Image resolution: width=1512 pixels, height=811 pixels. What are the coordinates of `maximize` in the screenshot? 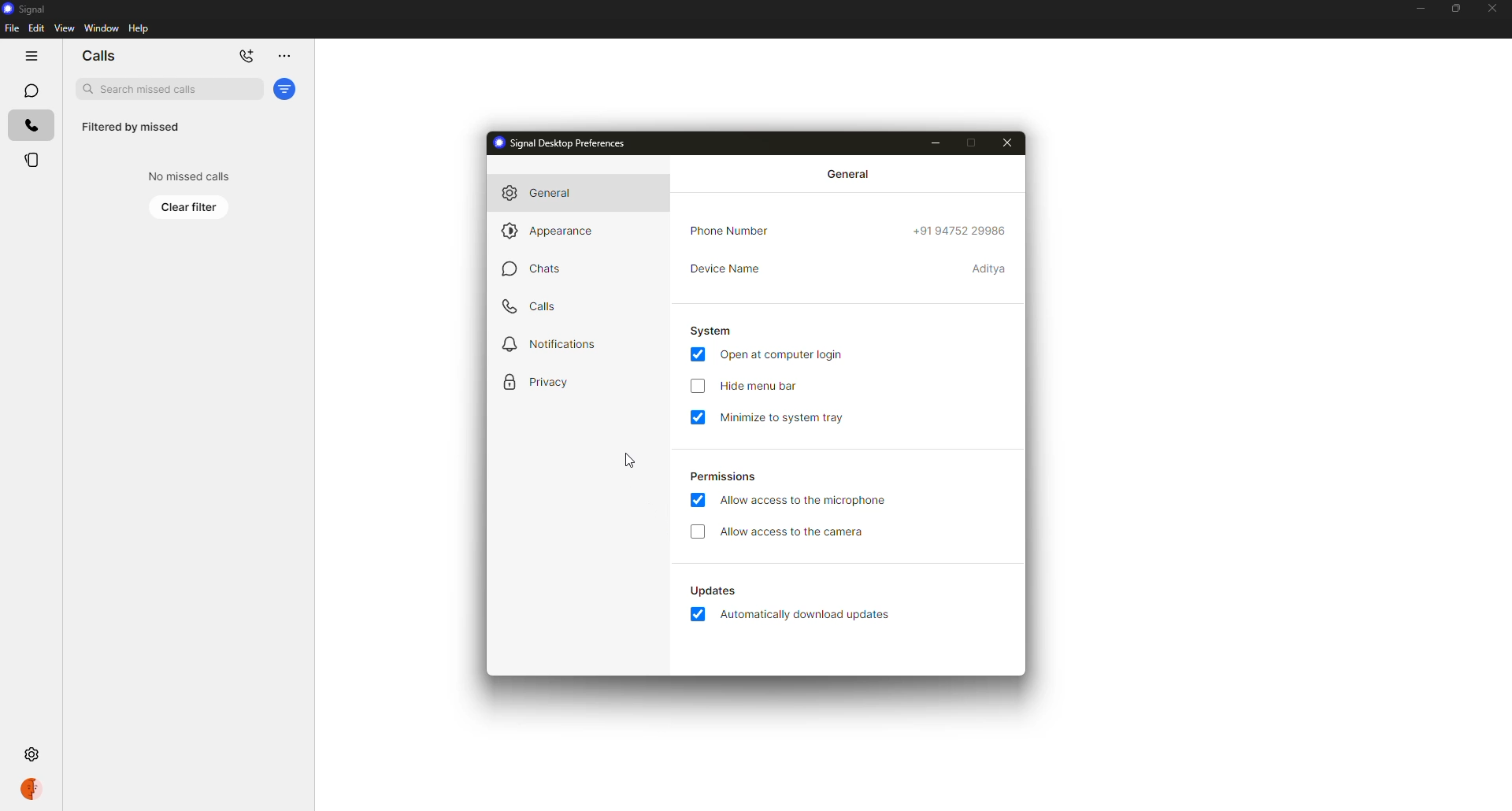 It's located at (971, 143).